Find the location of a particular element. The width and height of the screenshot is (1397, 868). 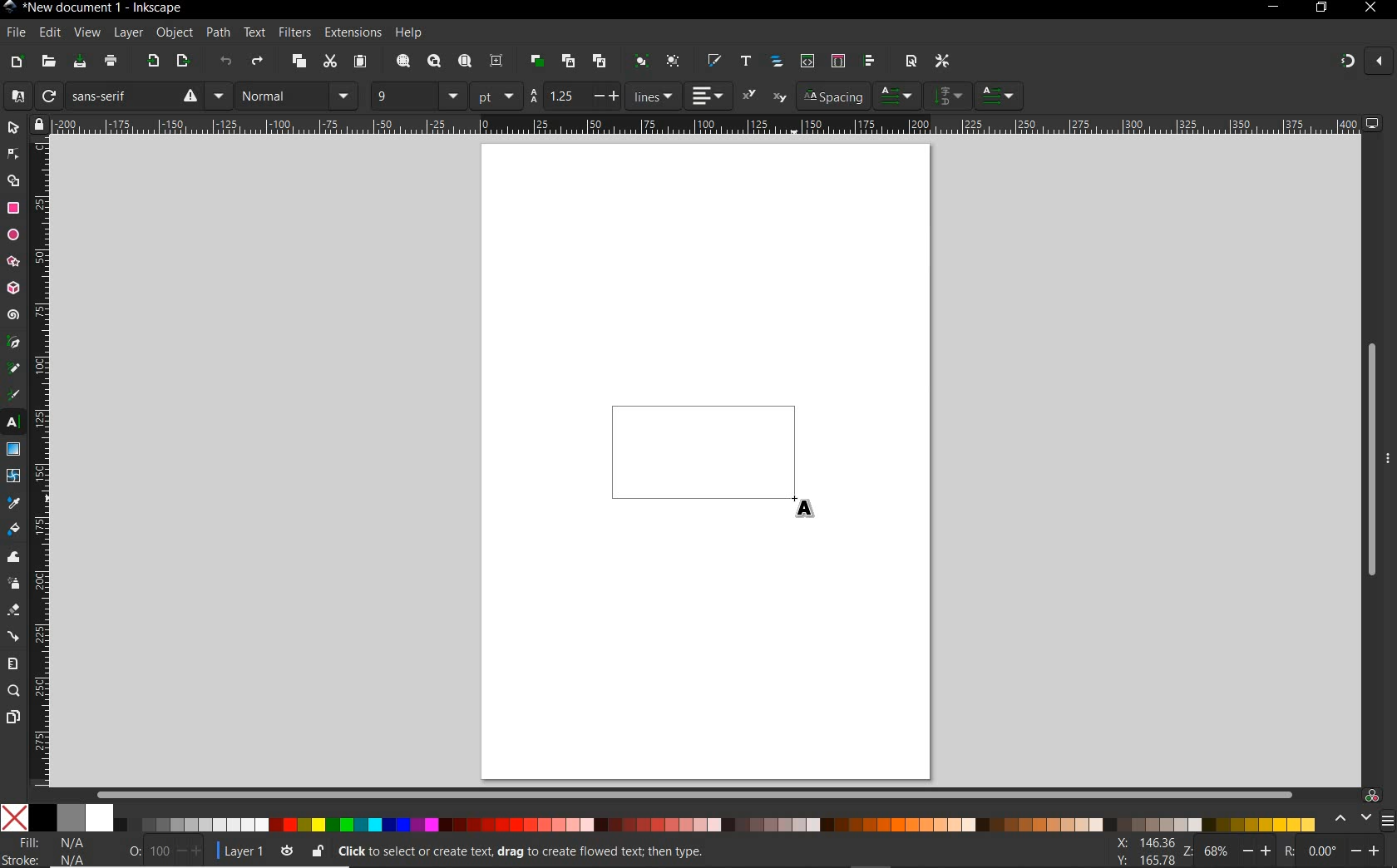

connector tool is located at coordinates (15, 638).